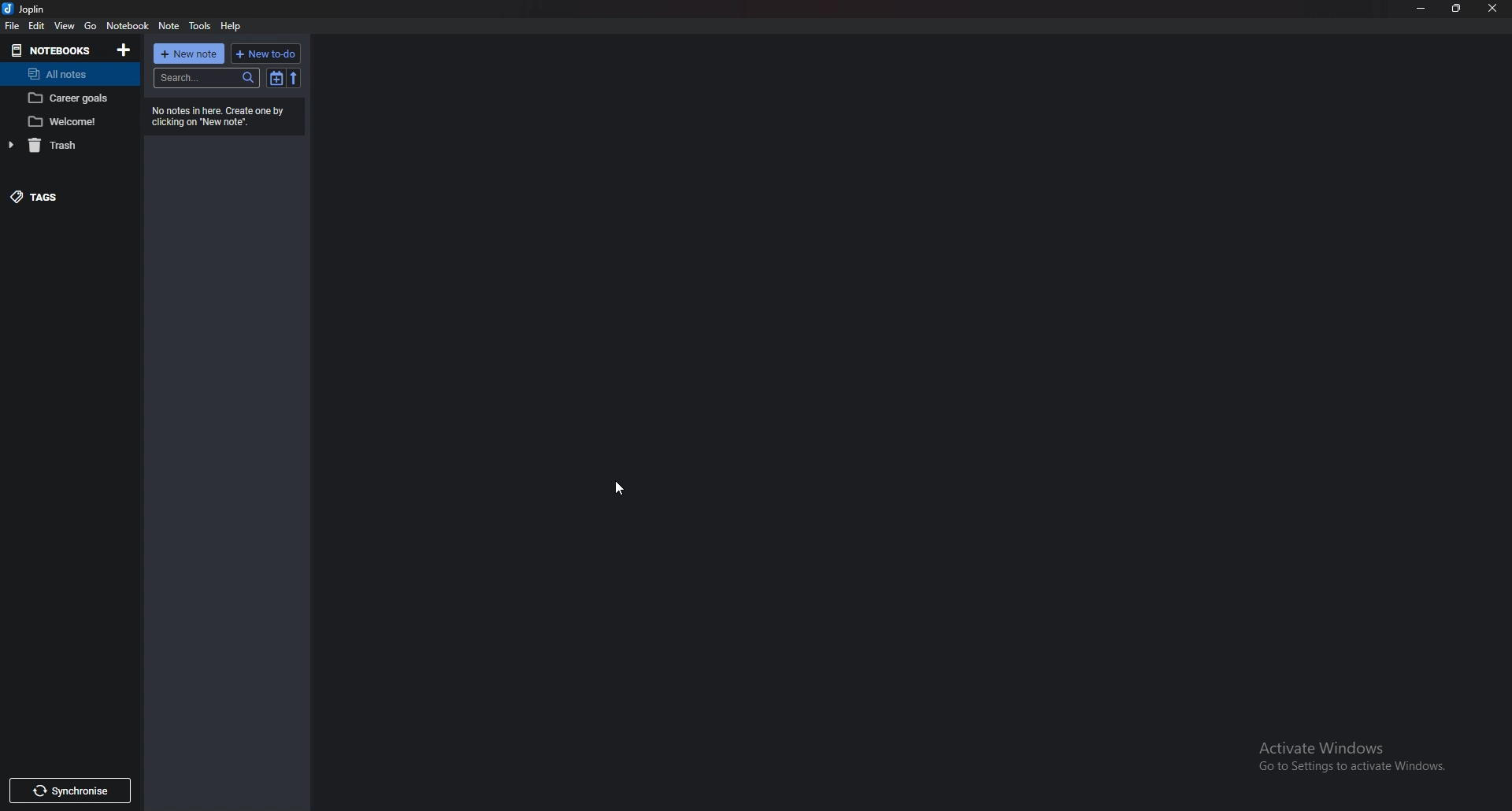 This screenshot has width=1512, height=811. I want to click on help, so click(230, 26).